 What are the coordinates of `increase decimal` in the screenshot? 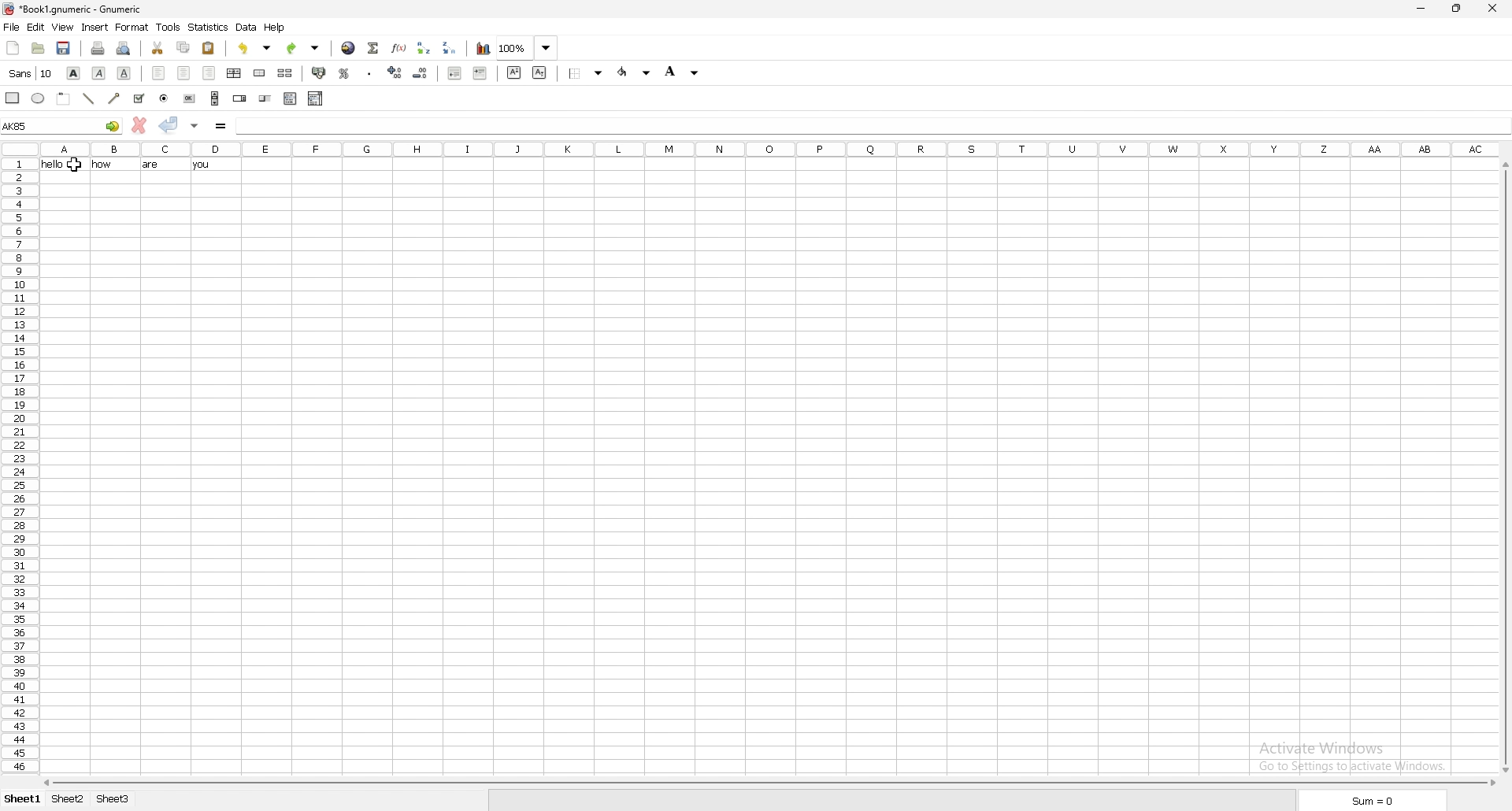 It's located at (396, 72).